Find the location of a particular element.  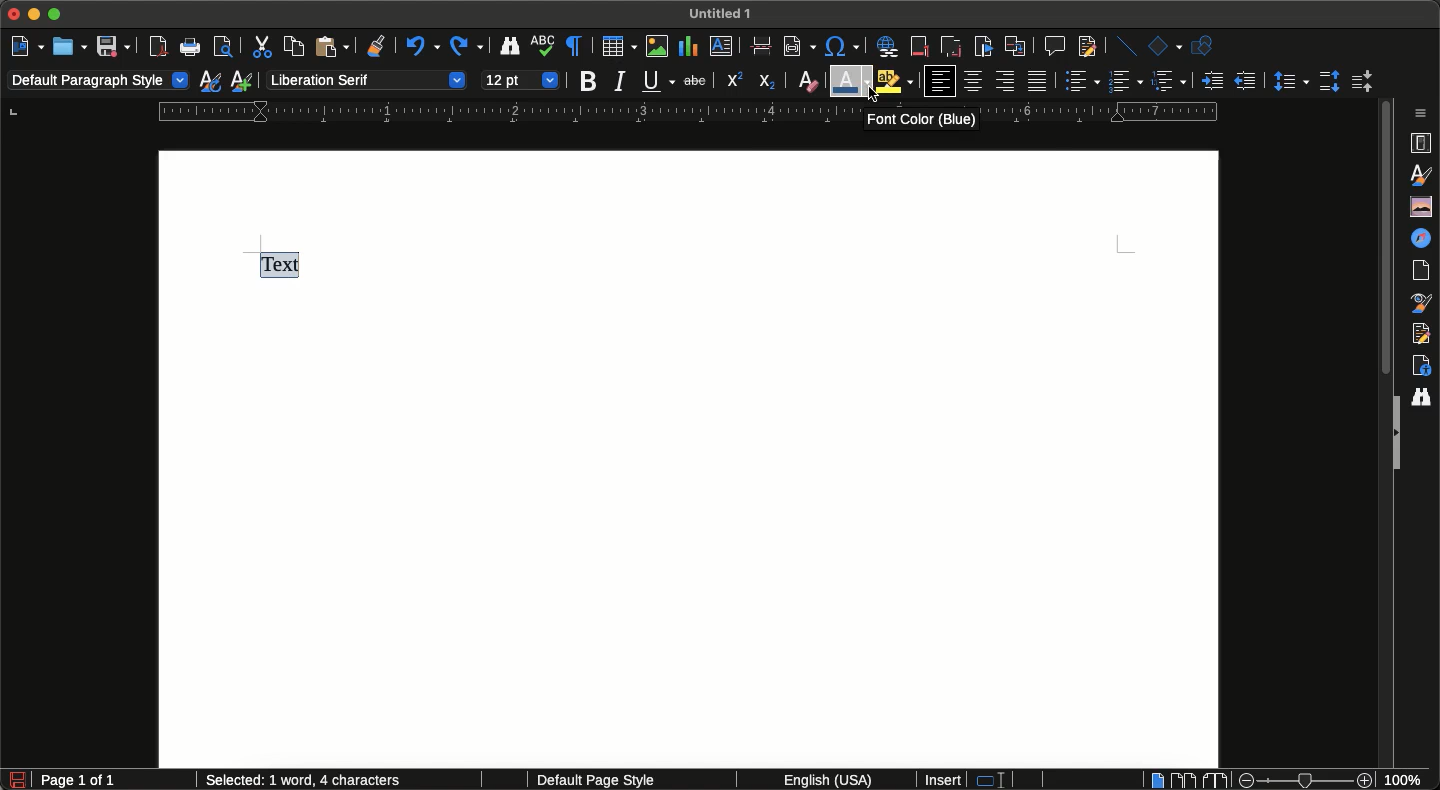

Decrease paragraph spacing is located at coordinates (1360, 83).